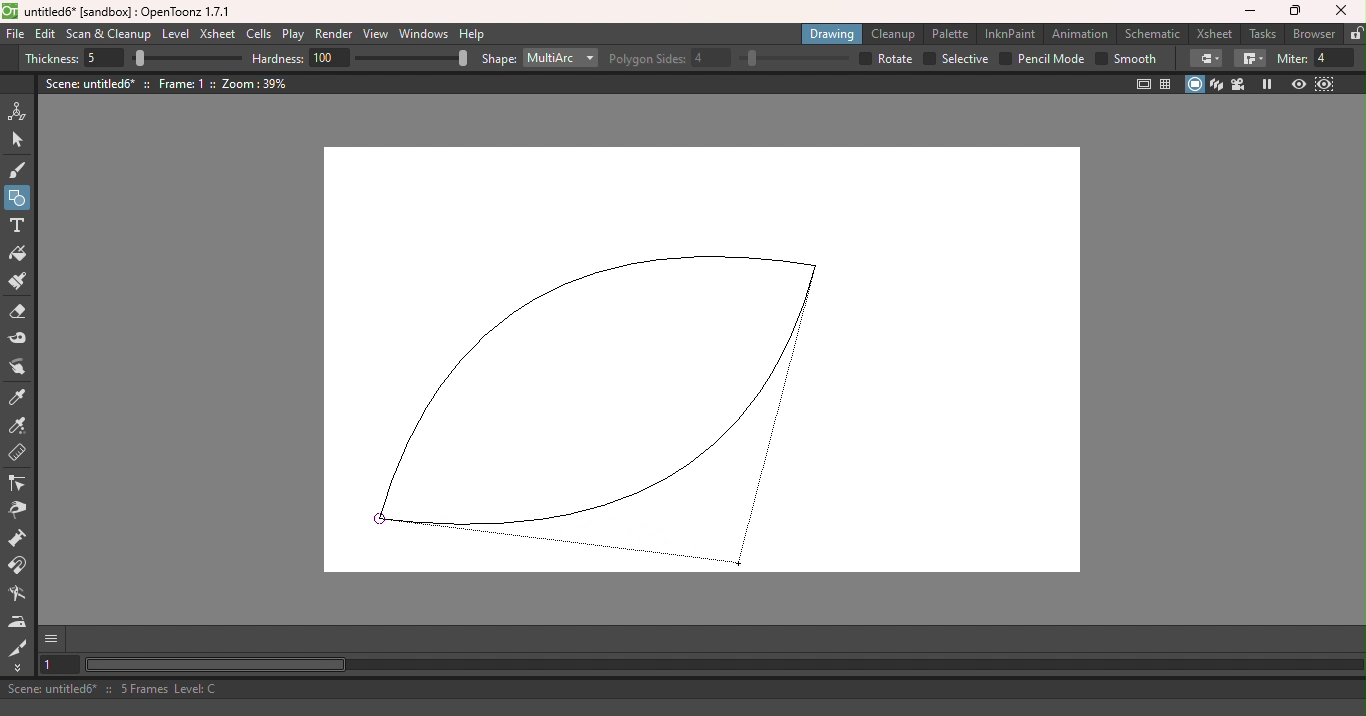 The width and height of the screenshot is (1366, 716). I want to click on Pinch tool, so click(21, 513).